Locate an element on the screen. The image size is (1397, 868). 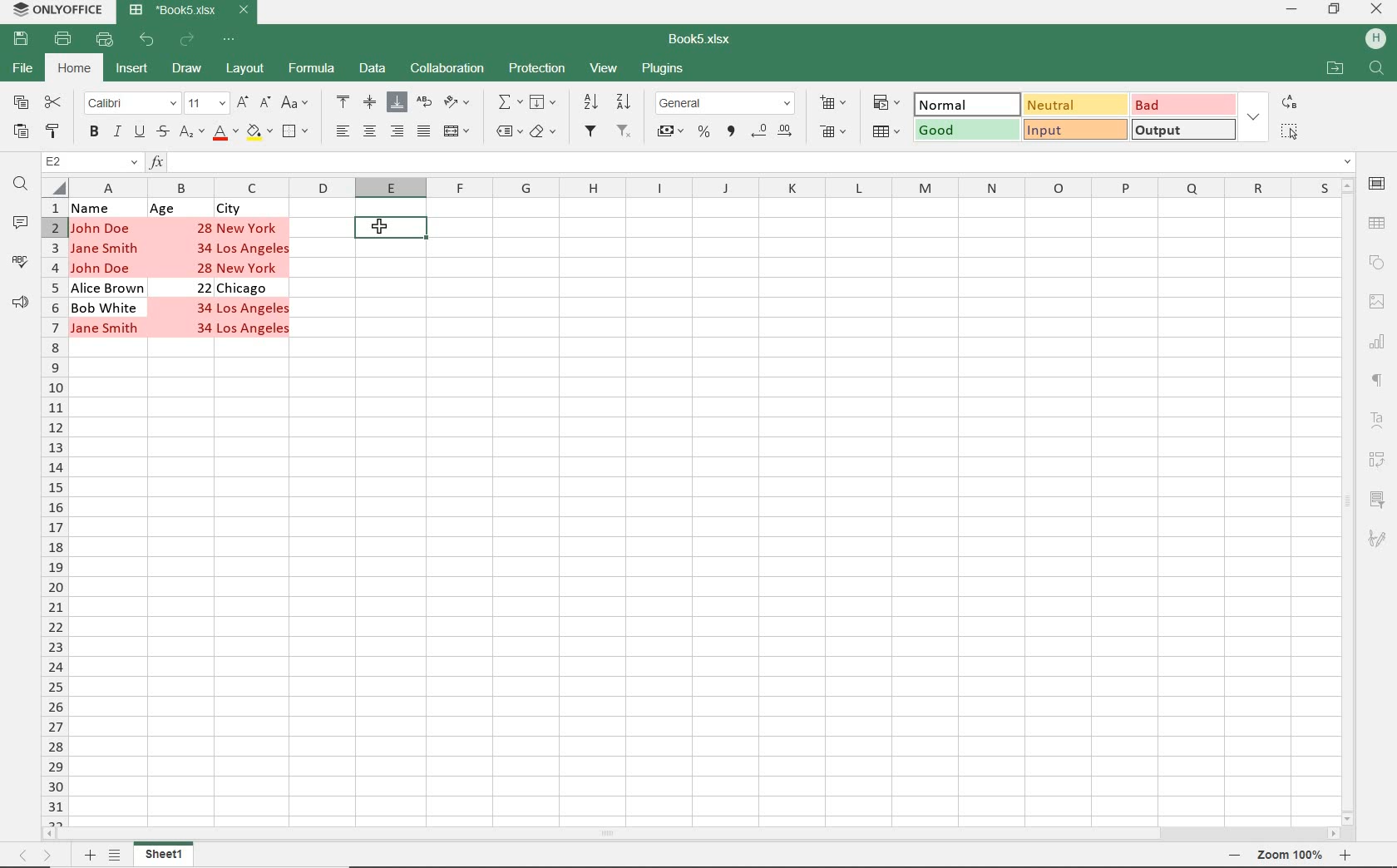
PIVOT TABLE is located at coordinates (1376, 461).